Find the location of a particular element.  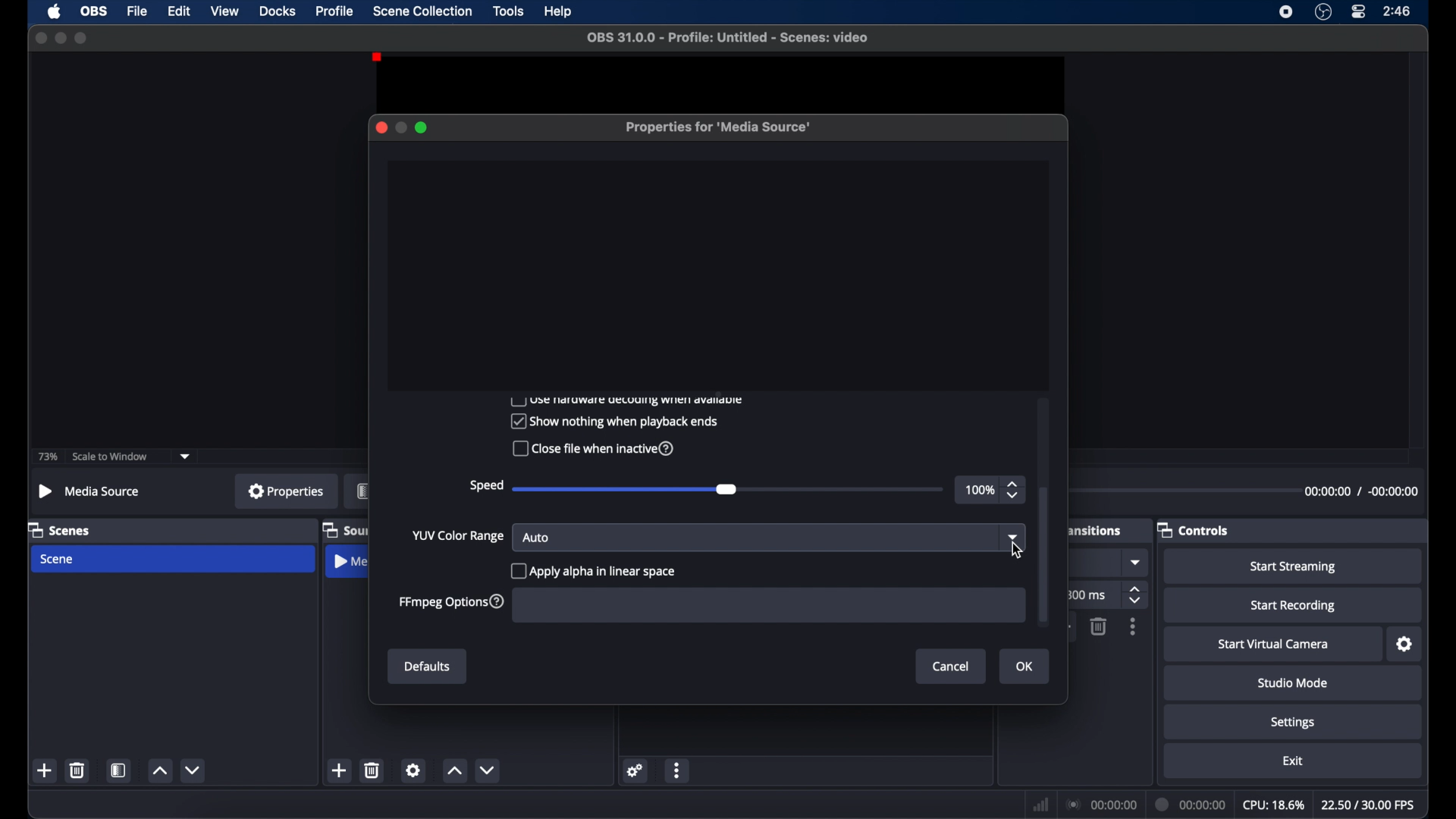

cursor is located at coordinates (1016, 551).